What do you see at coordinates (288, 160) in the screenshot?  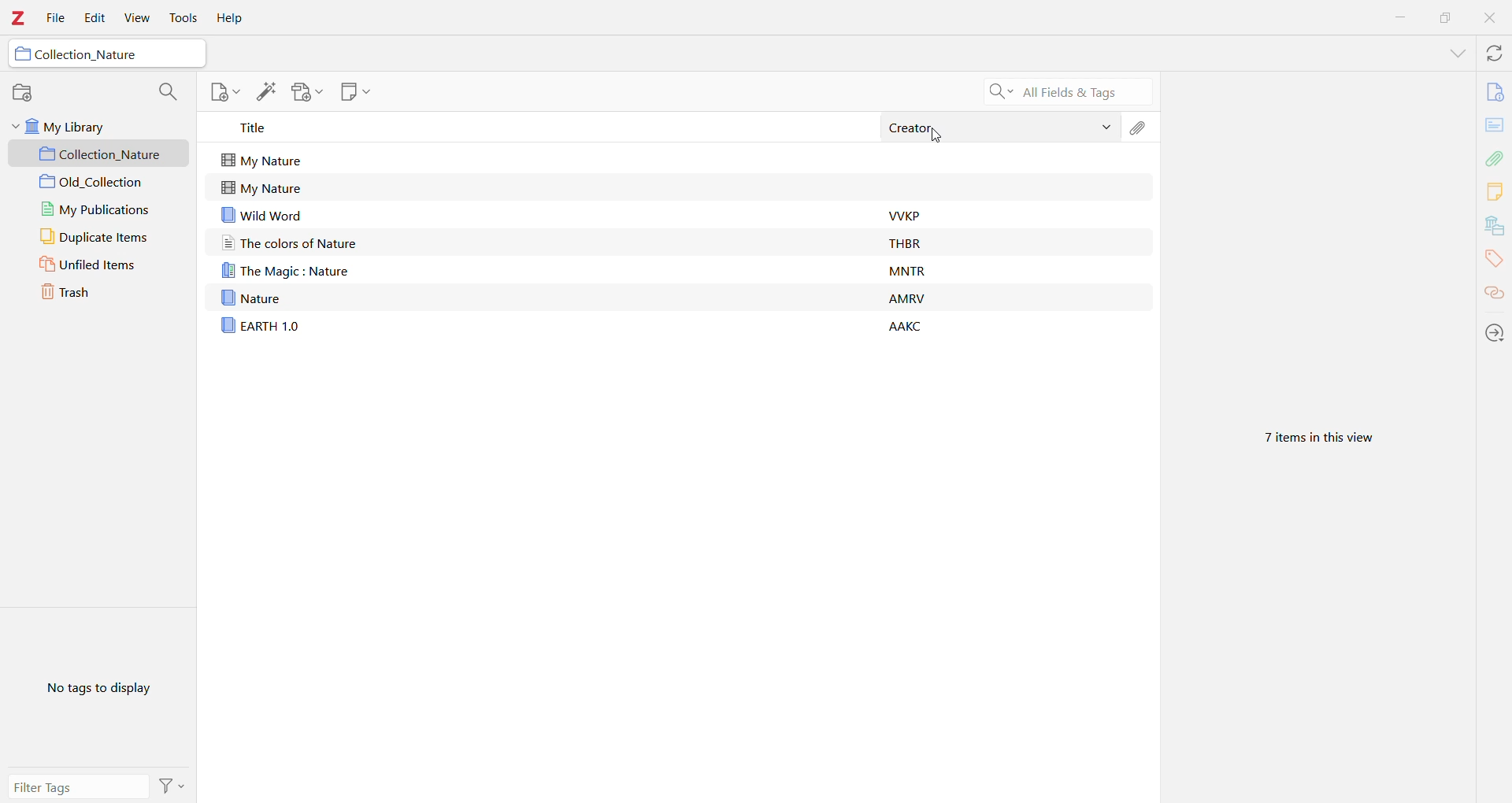 I see `My nature` at bounding box center [288, 160].